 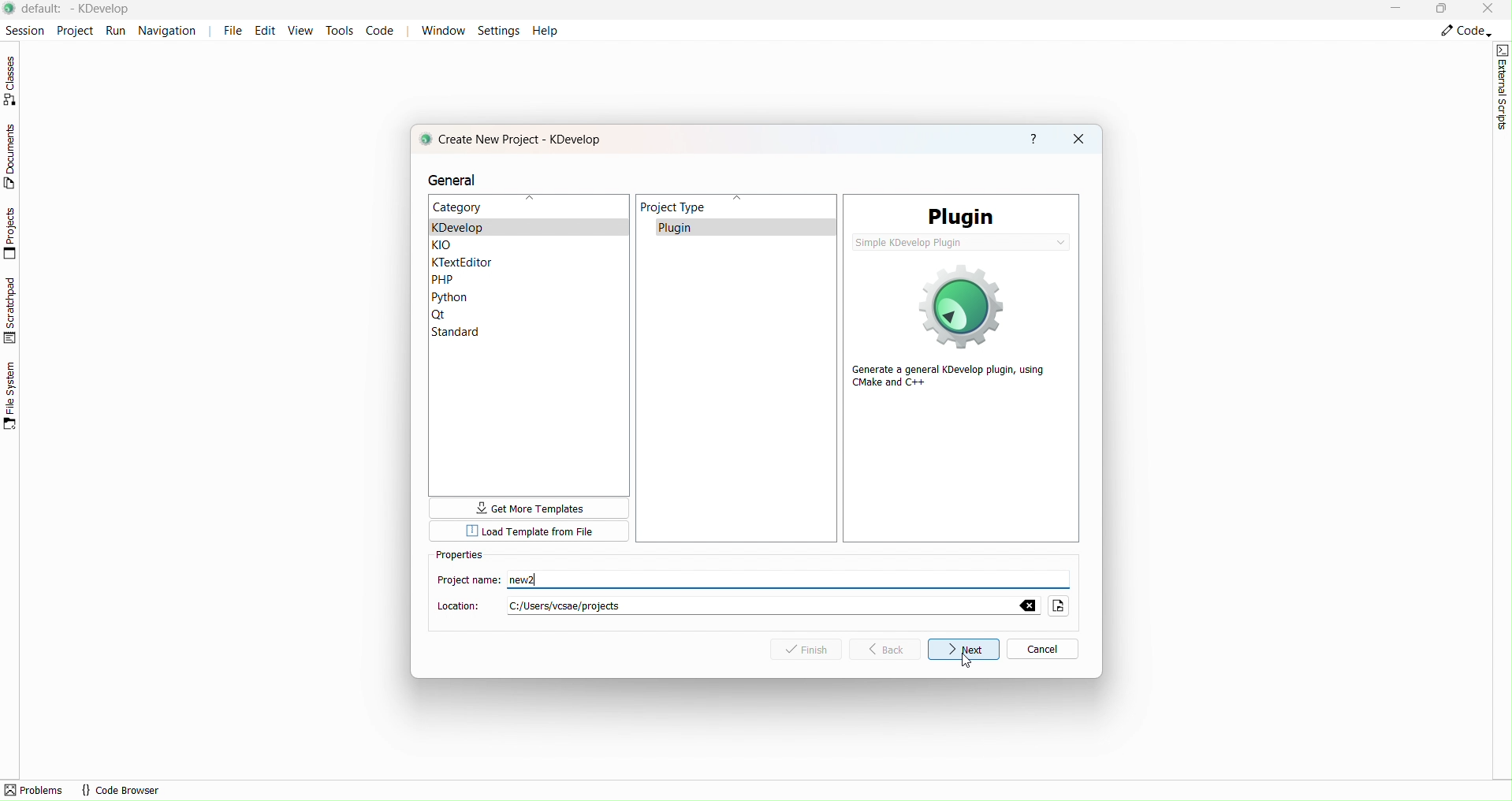 I want to click on Projects, so click(x=13, y=233).